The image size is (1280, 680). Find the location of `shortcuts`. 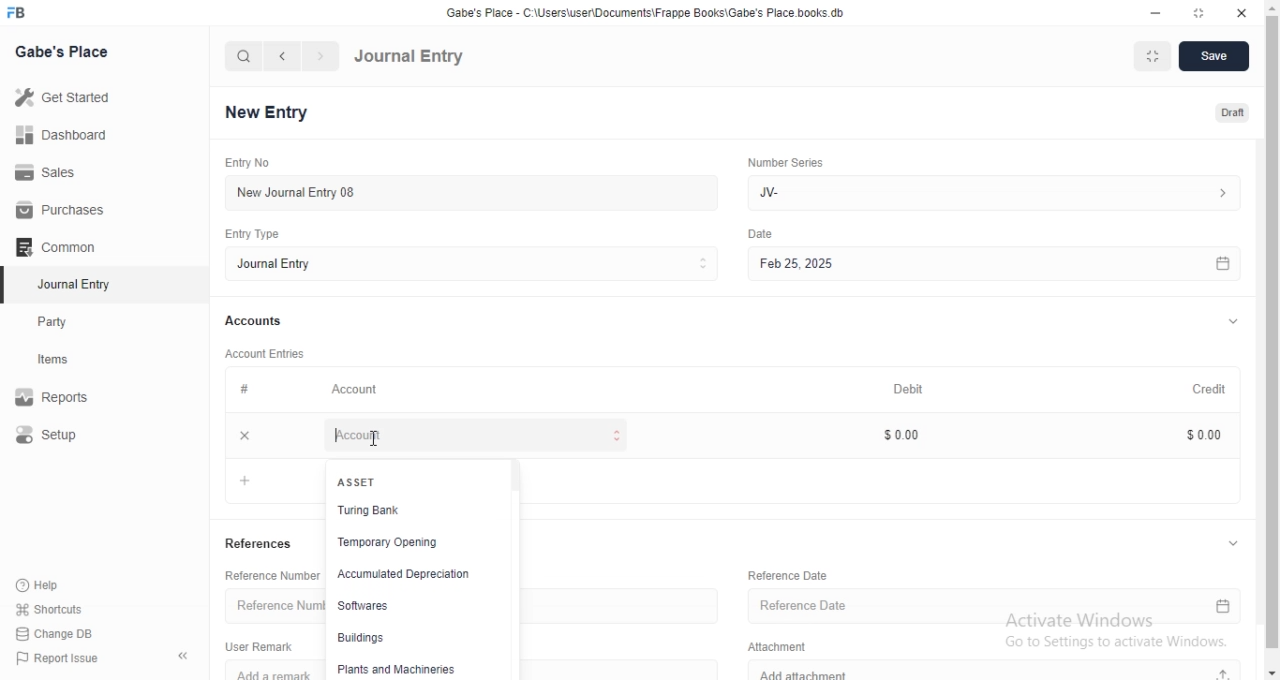

shortcuts is located at coordinates (62, 608).